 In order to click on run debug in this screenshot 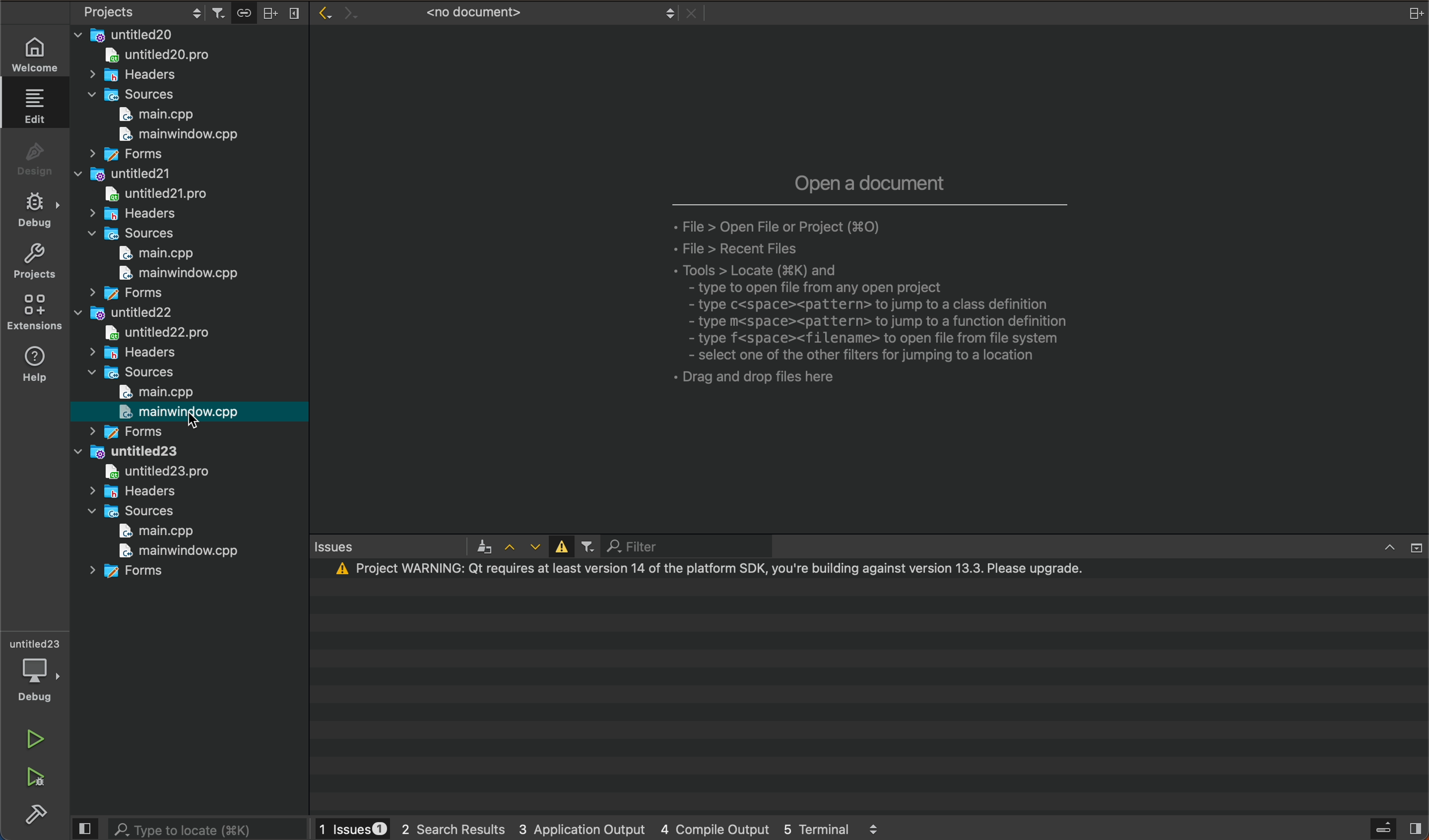, I will do `click(35, 779)`.